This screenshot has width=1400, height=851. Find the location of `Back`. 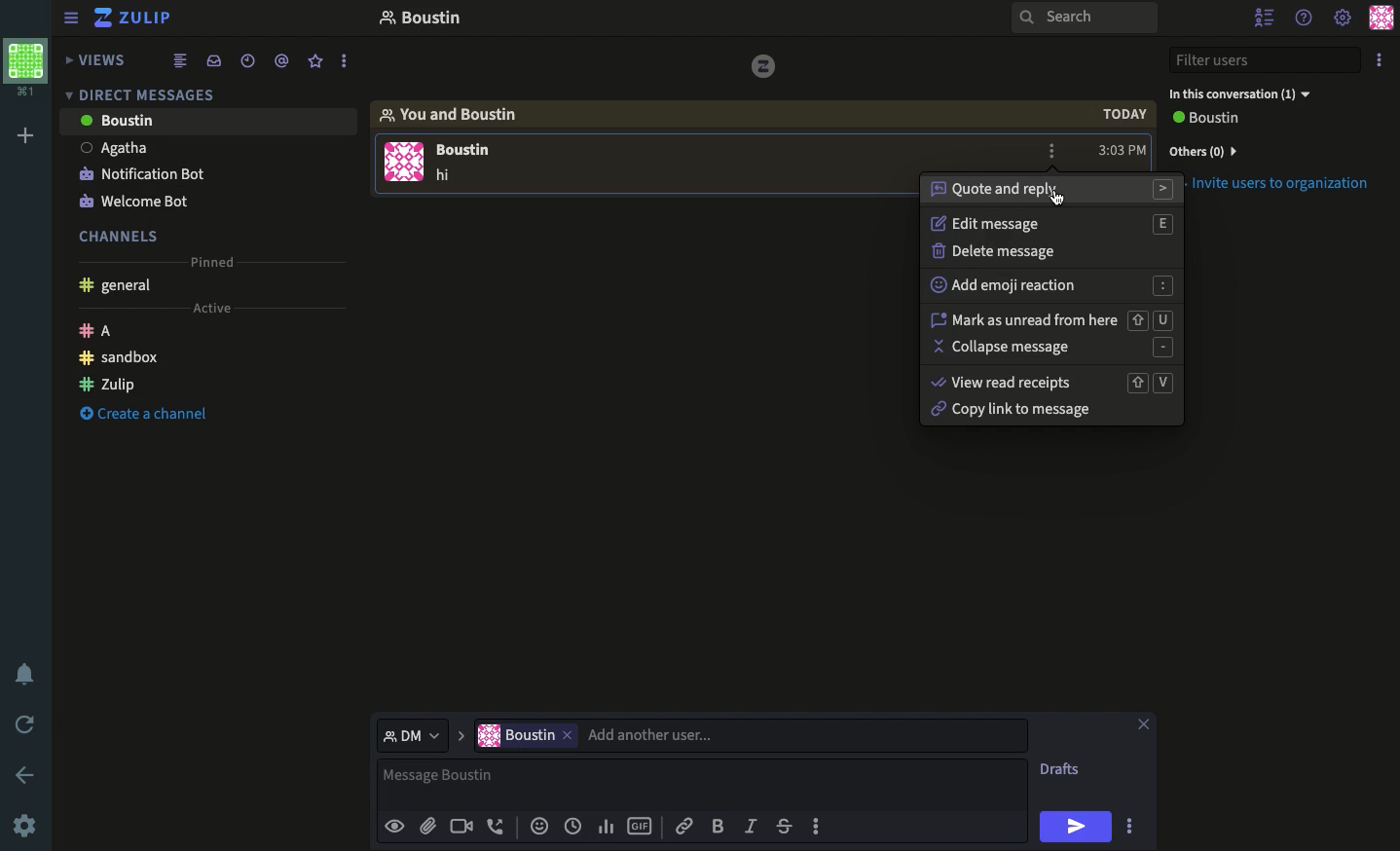

Back is located at coordinates (26, 773).